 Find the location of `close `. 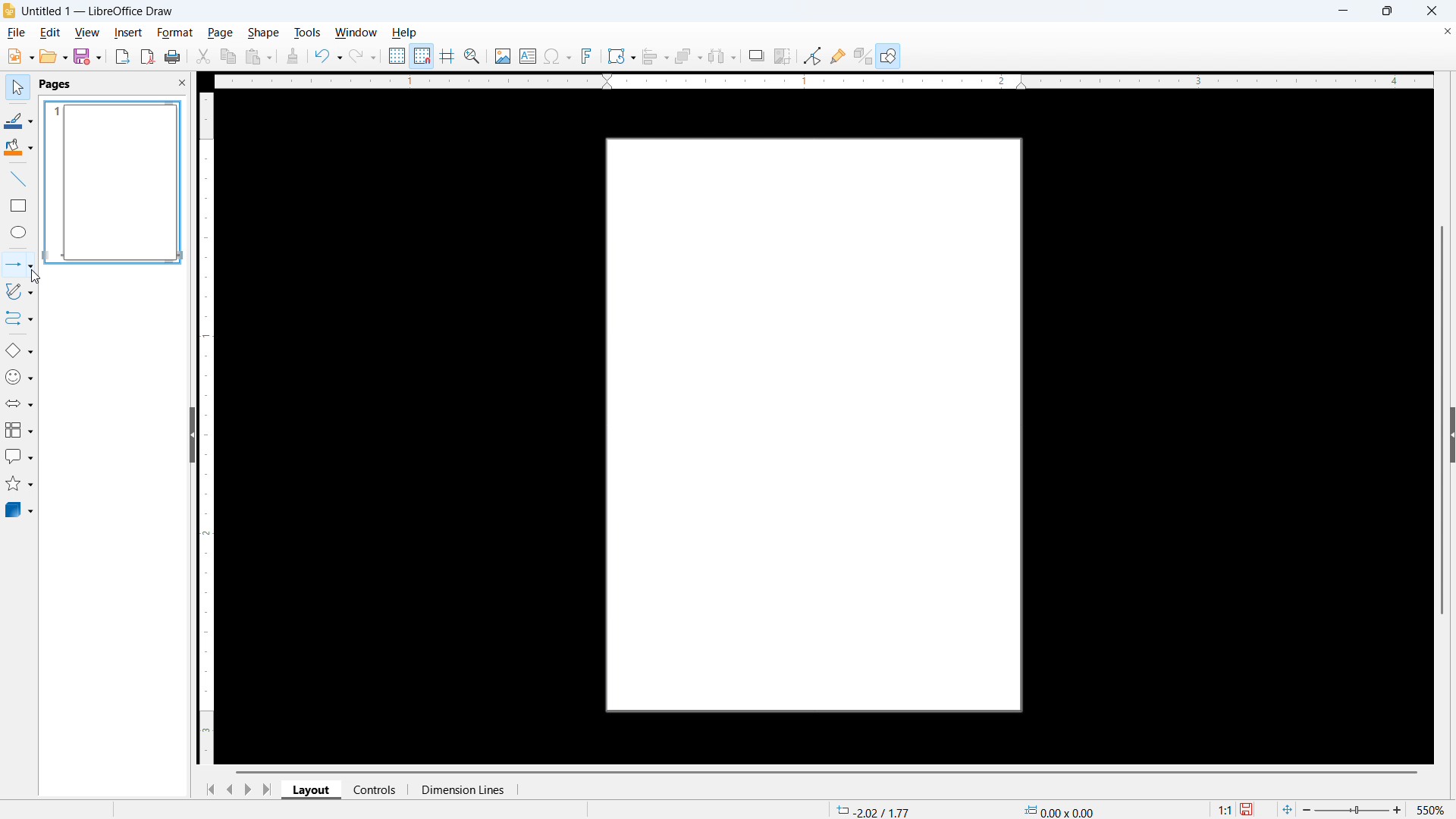

close  is located at coordinates (1431, 11).